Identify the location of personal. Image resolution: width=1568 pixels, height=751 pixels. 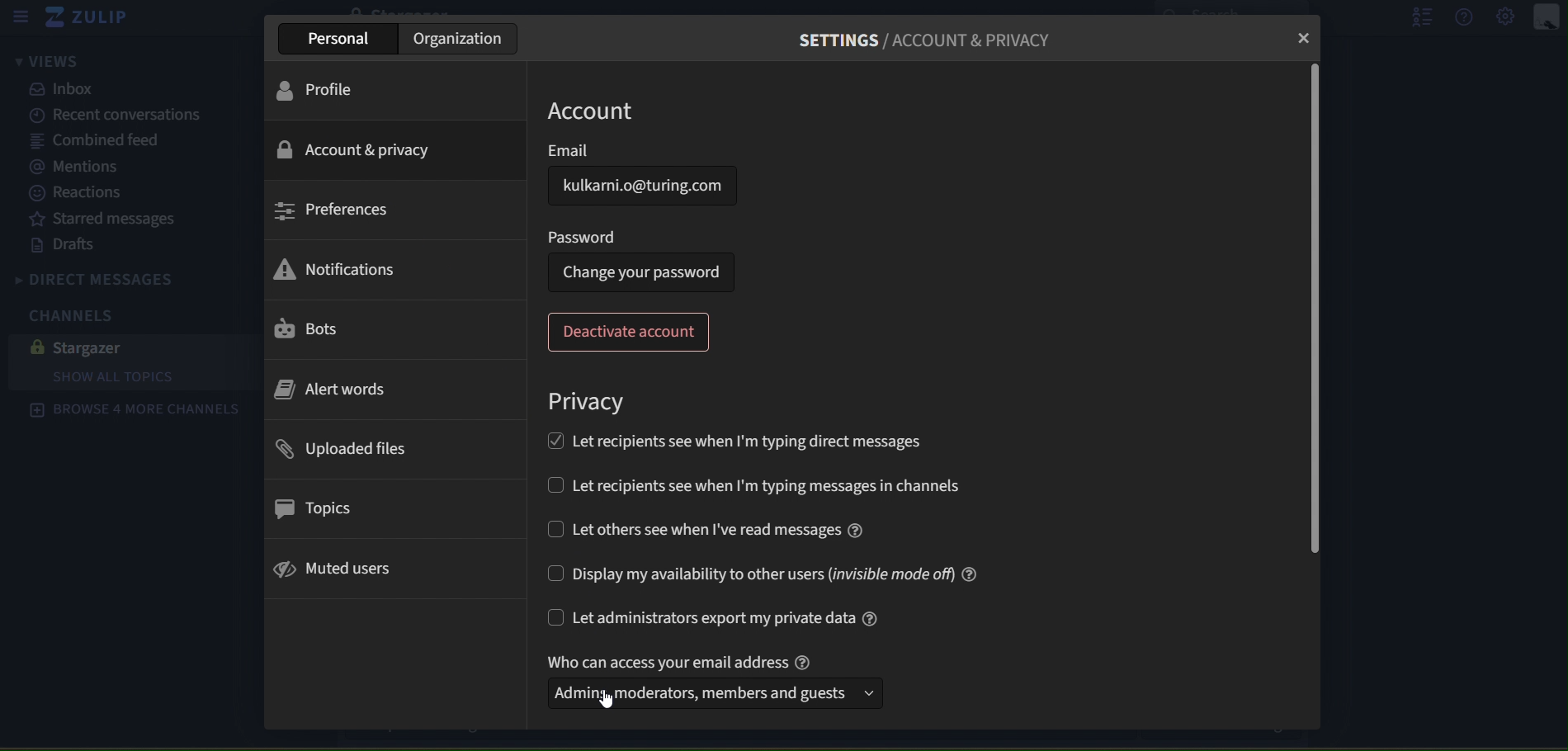
(343, 38).